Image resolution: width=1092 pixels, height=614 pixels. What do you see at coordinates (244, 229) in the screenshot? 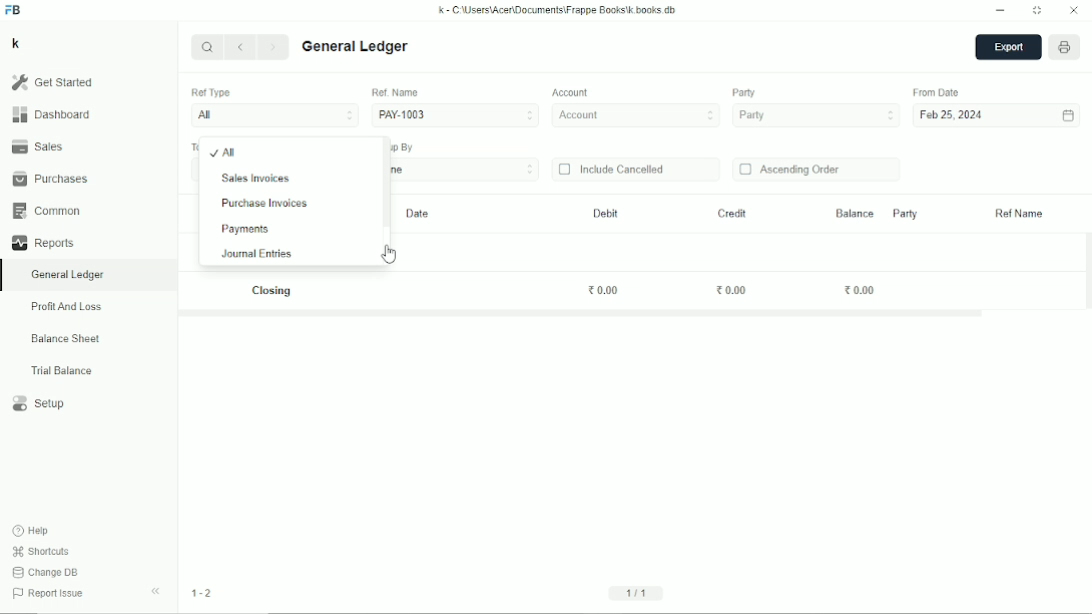
I see `Payments` at bounding box center [244, 229].